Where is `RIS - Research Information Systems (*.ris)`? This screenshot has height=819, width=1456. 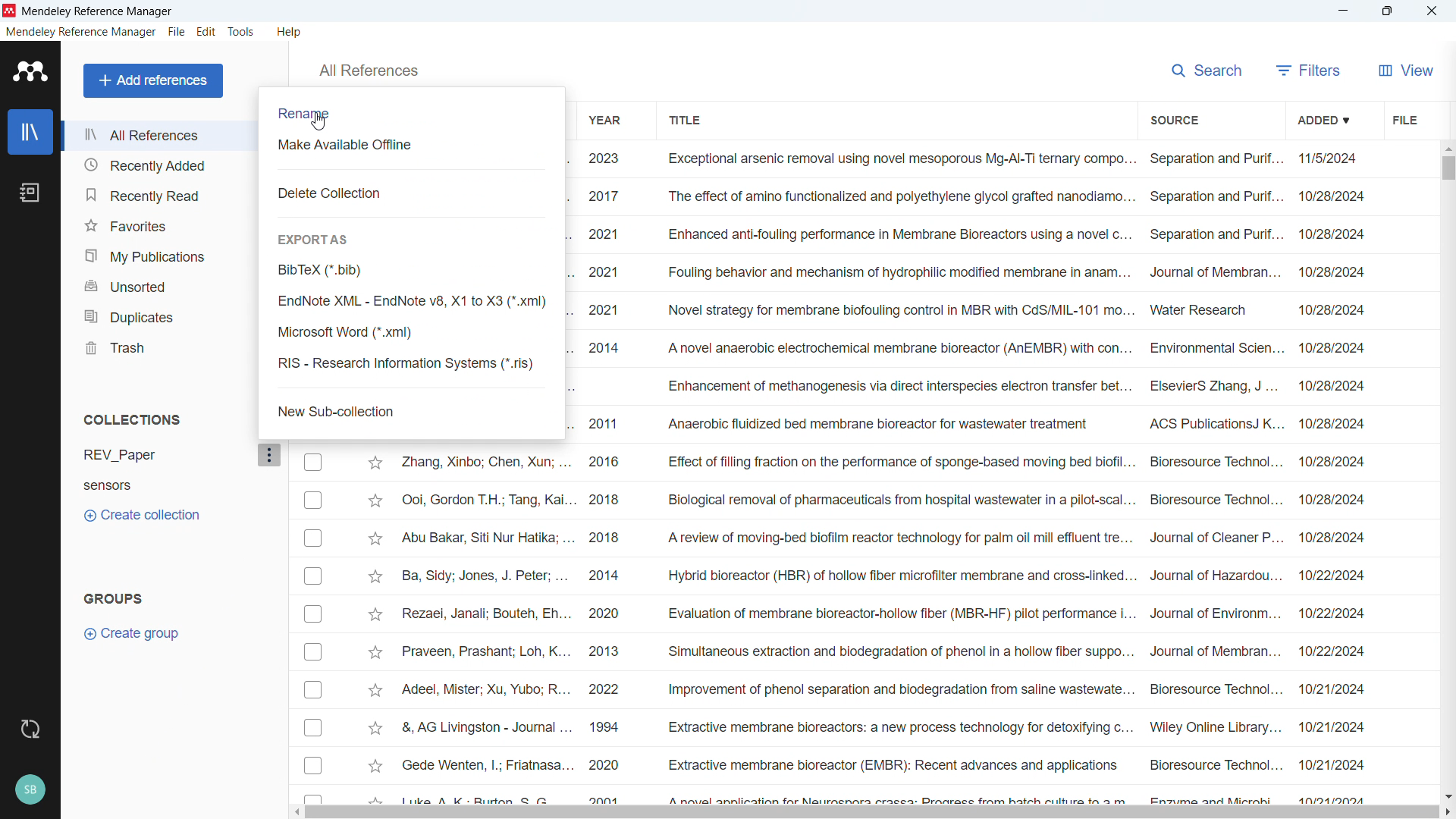
RIS - Research Information Systems (*.ris) is located at coordinates (413, 365).